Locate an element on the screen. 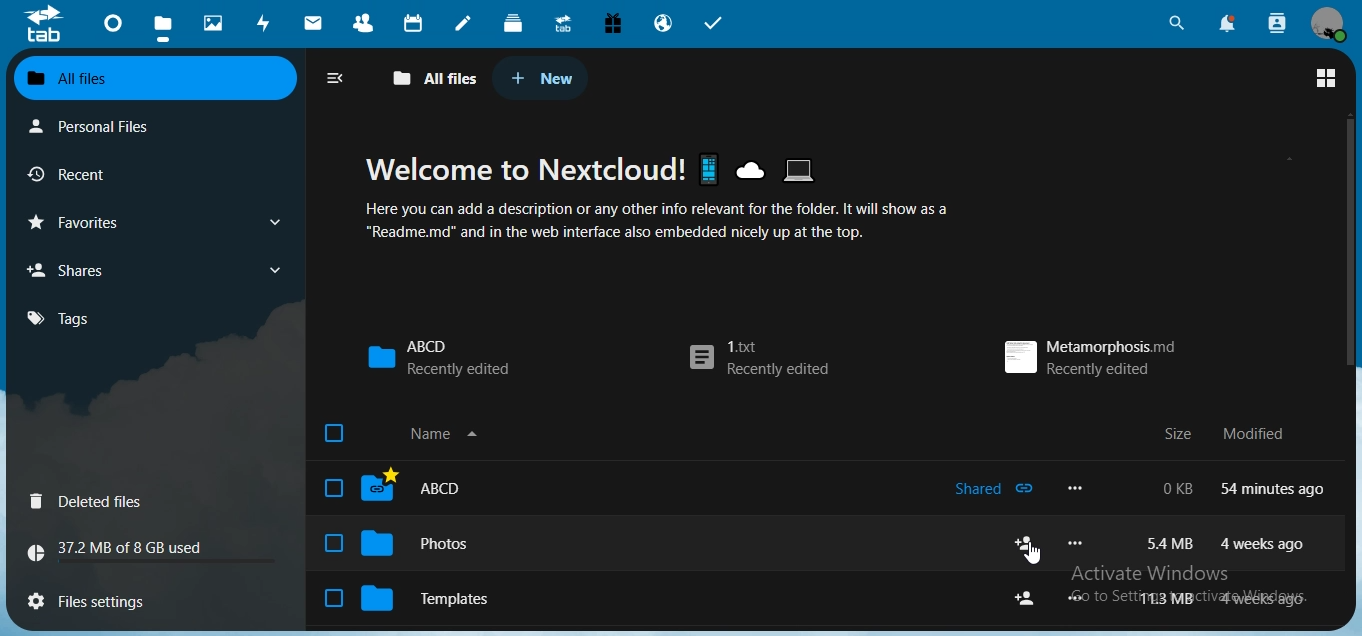 The width and height of the screenshot is (1362, 636). close navigation is located at coordinates (340, 78).